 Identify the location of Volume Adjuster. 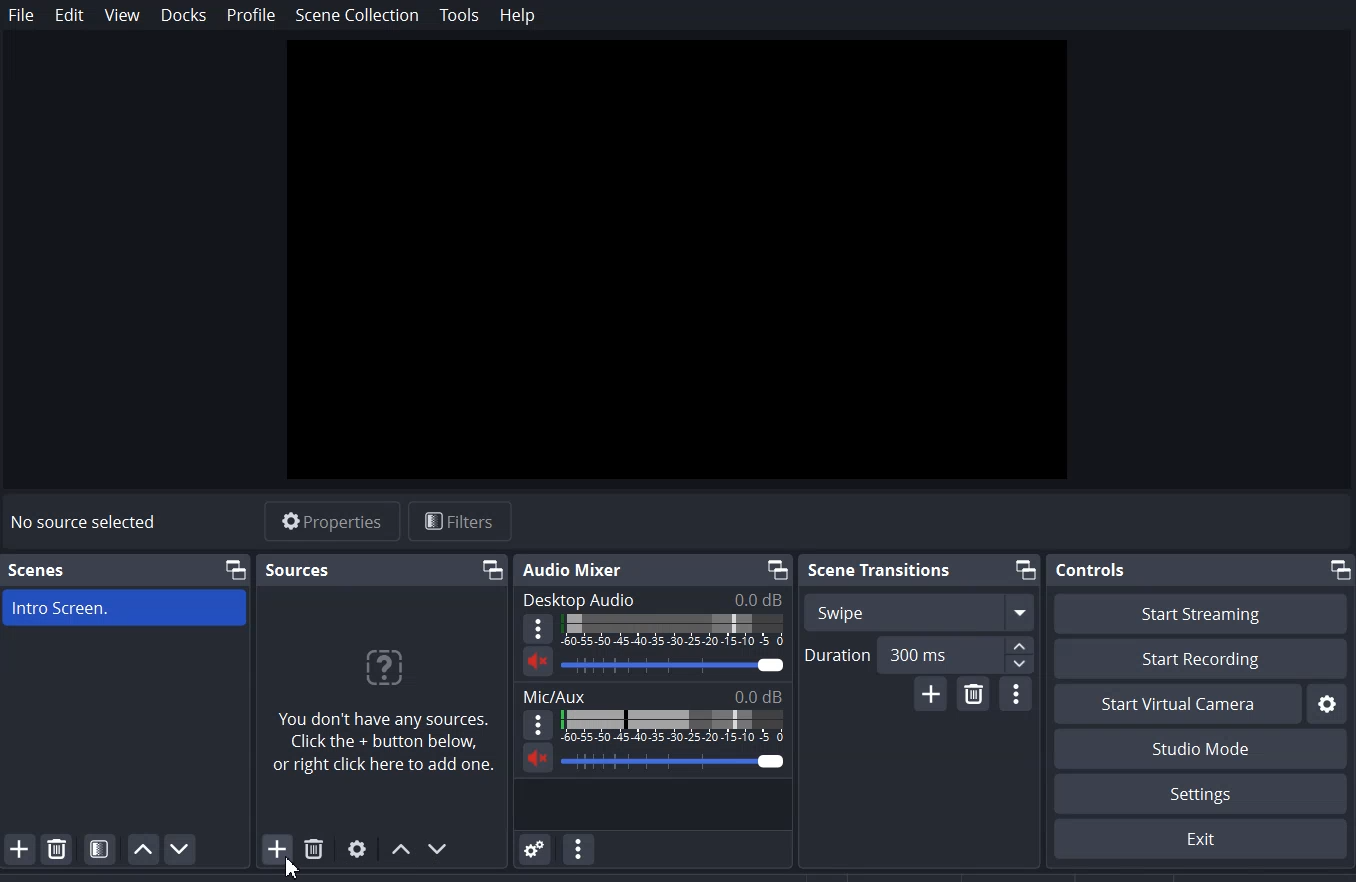
(675, 759).